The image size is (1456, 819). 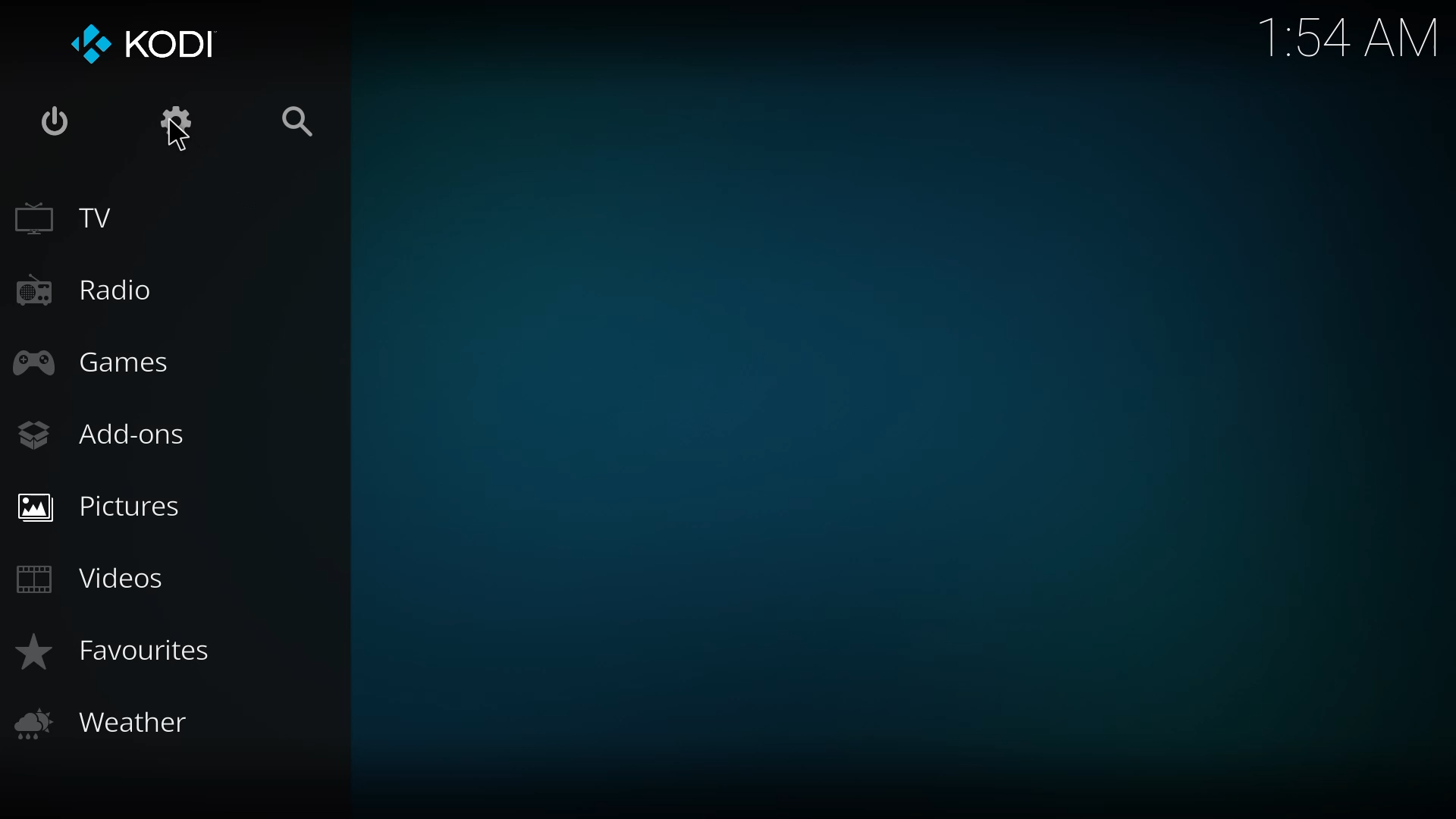 I want to click on weather, so click(x=117, y=724).